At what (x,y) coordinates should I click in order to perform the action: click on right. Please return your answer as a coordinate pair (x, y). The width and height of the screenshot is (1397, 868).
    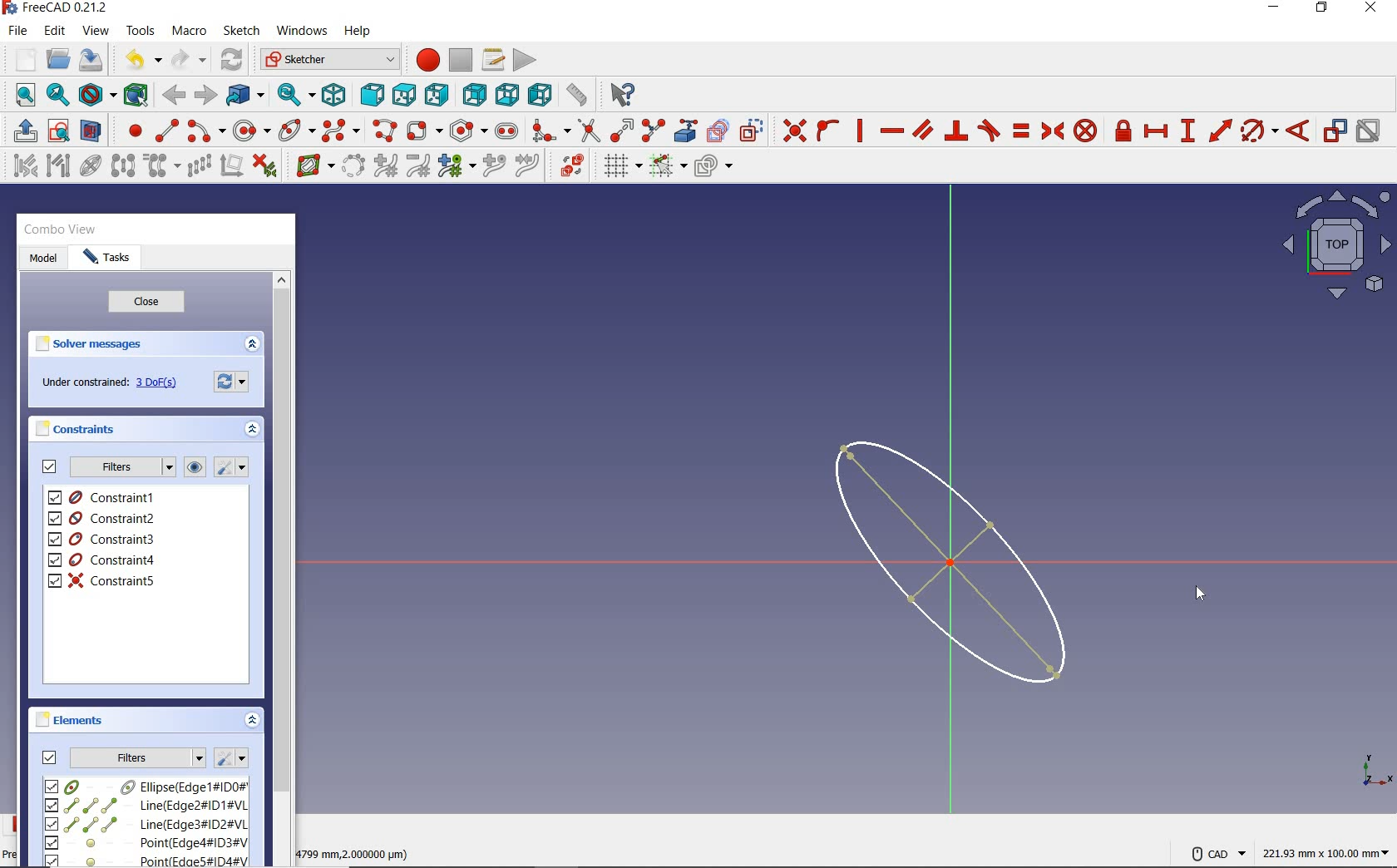
    Looking at the image, I should click on (437, 94).